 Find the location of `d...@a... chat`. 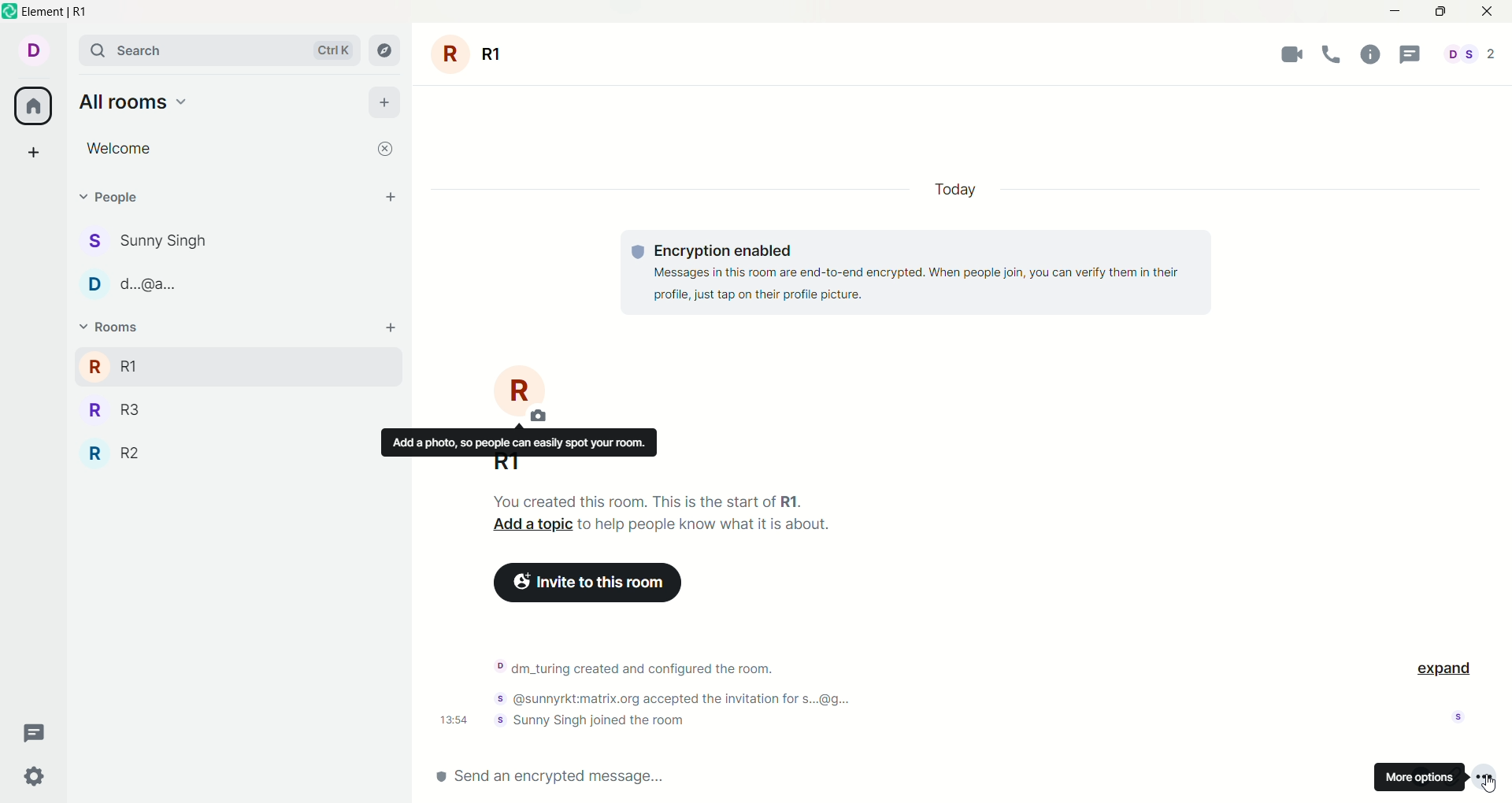

d...@a... chat is located at coordinates (132, 284).